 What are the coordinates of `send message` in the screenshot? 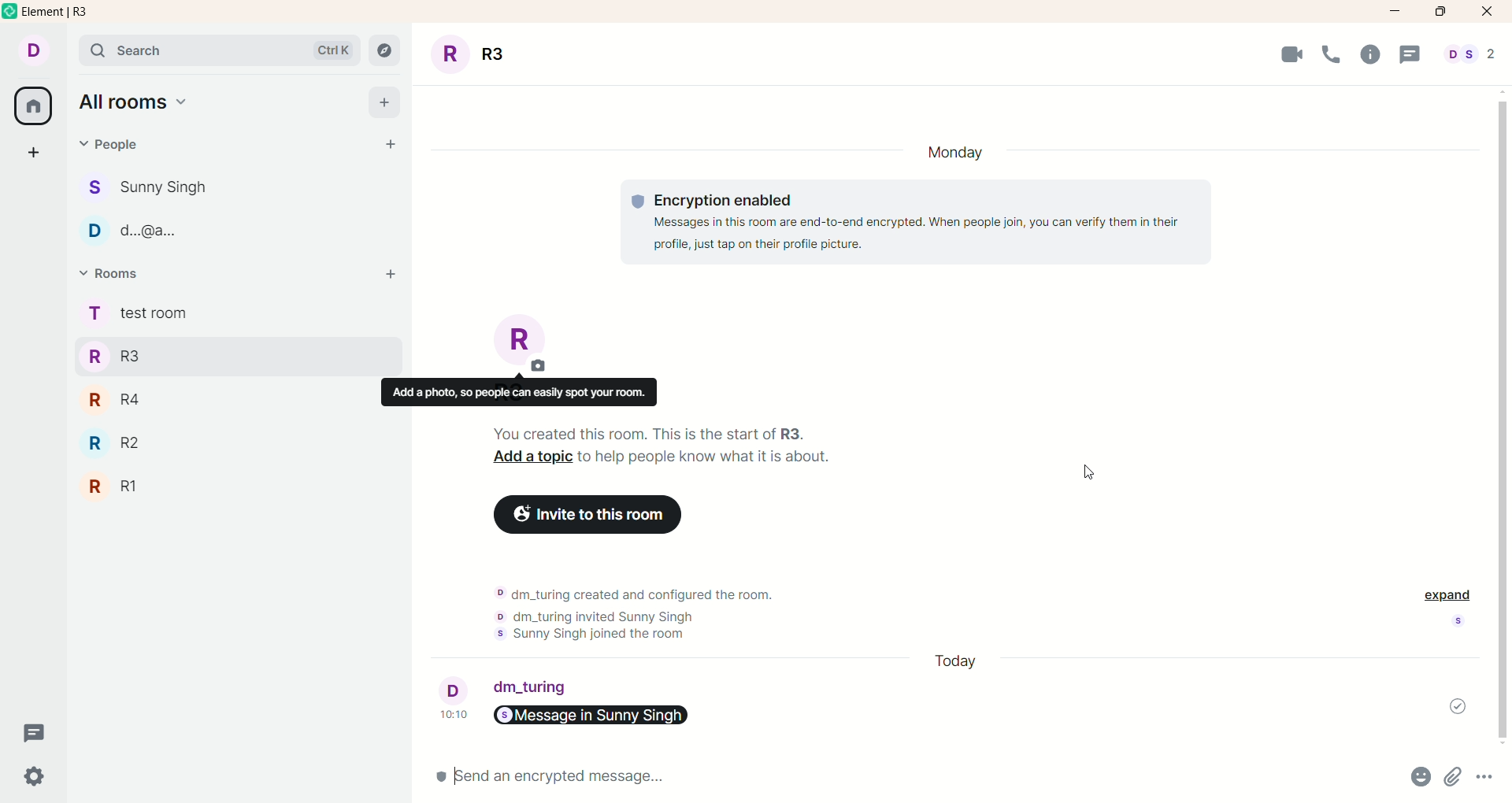 It's located at (636, 780).